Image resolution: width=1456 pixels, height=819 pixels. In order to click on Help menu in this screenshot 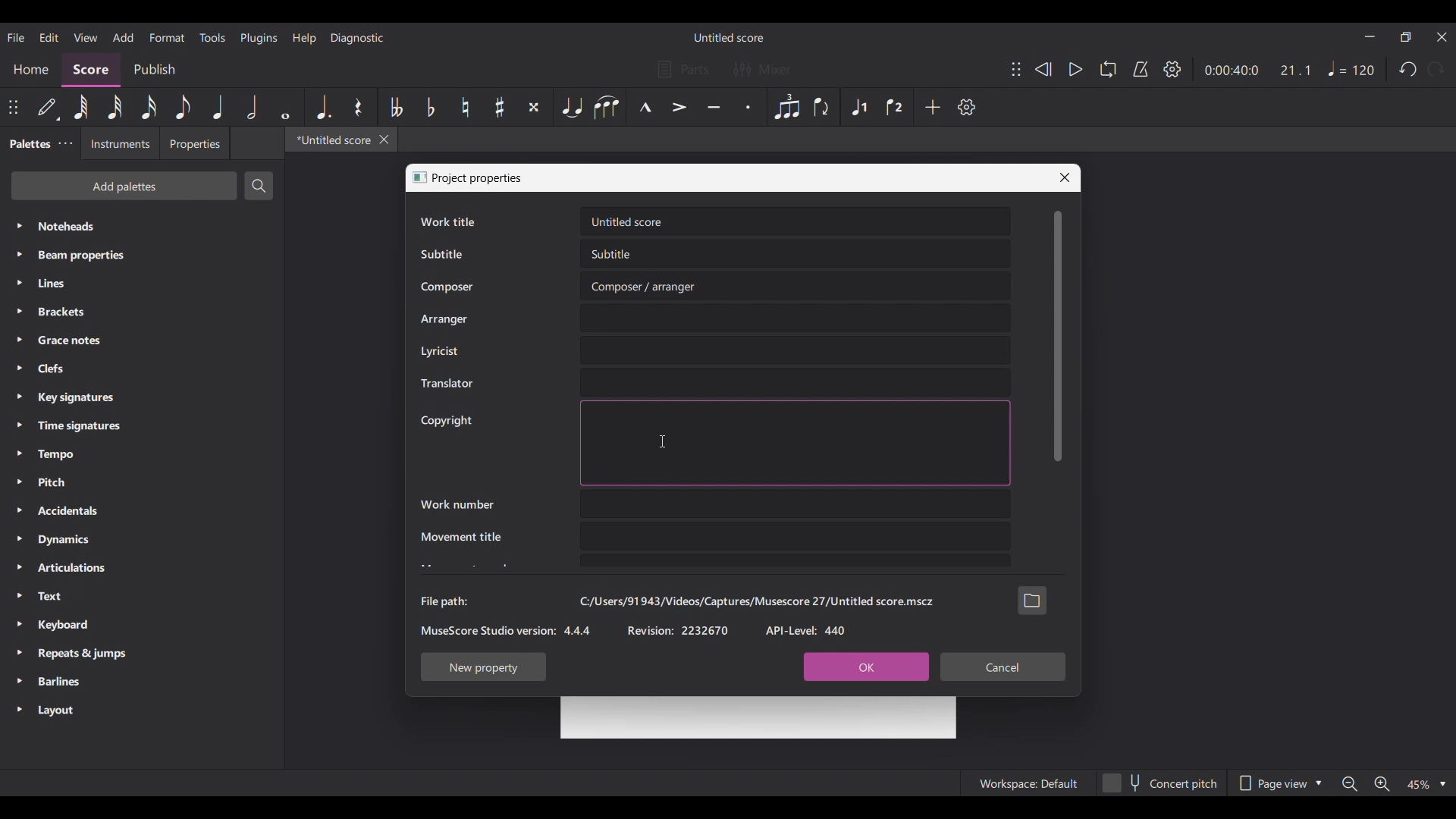, I will do `click(304, 39)`.